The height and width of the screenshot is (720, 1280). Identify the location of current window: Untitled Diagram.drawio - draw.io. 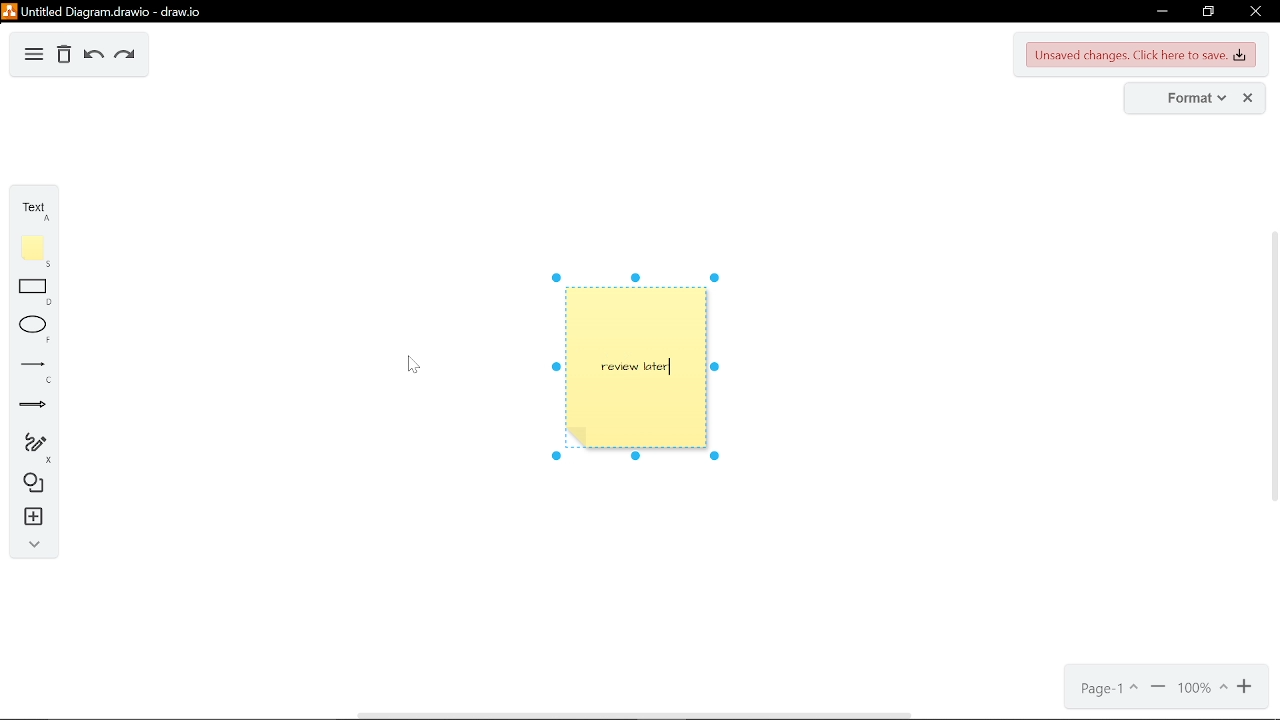
(111, 11).